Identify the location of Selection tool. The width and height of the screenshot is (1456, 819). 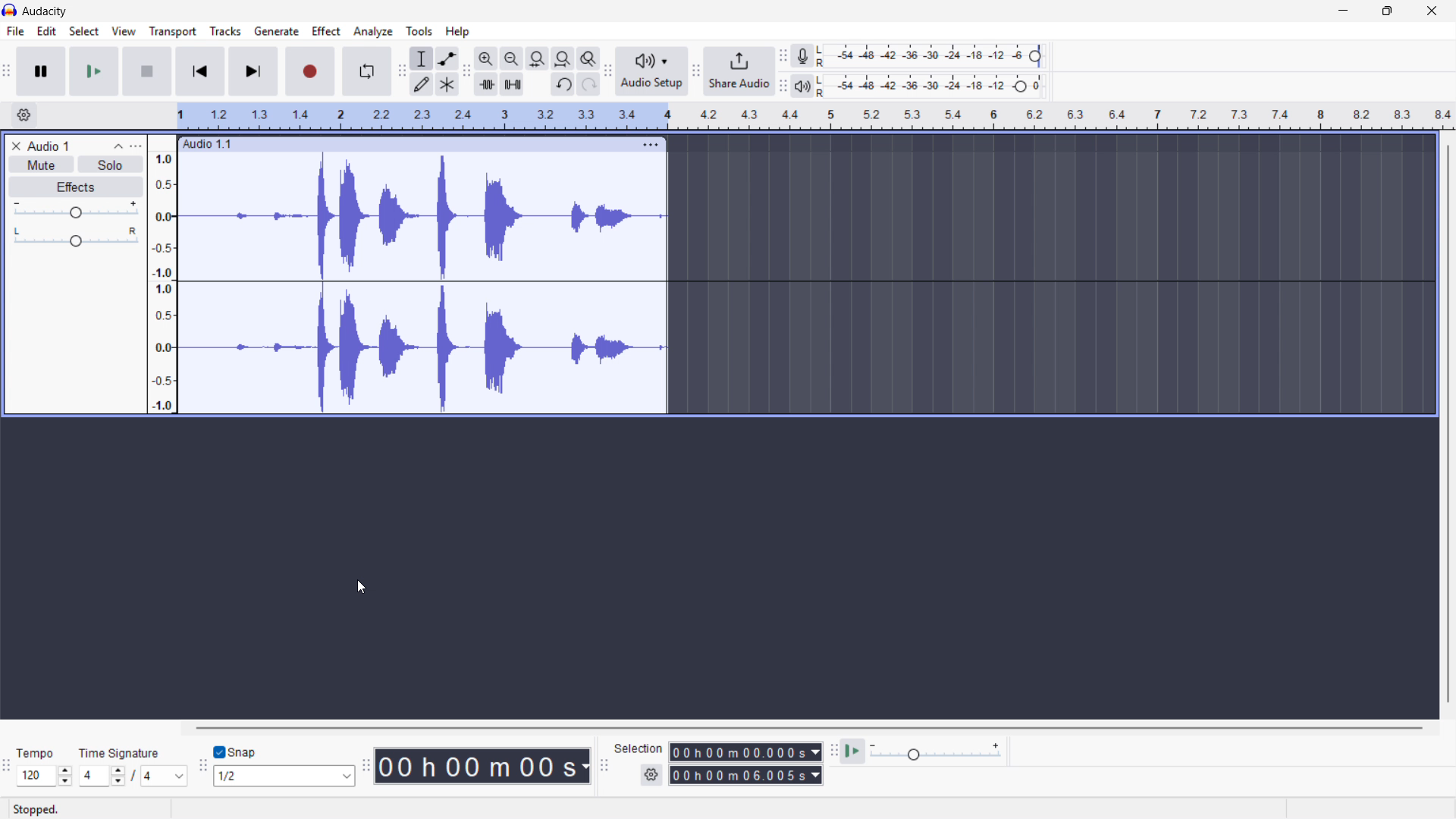
(422, 58).